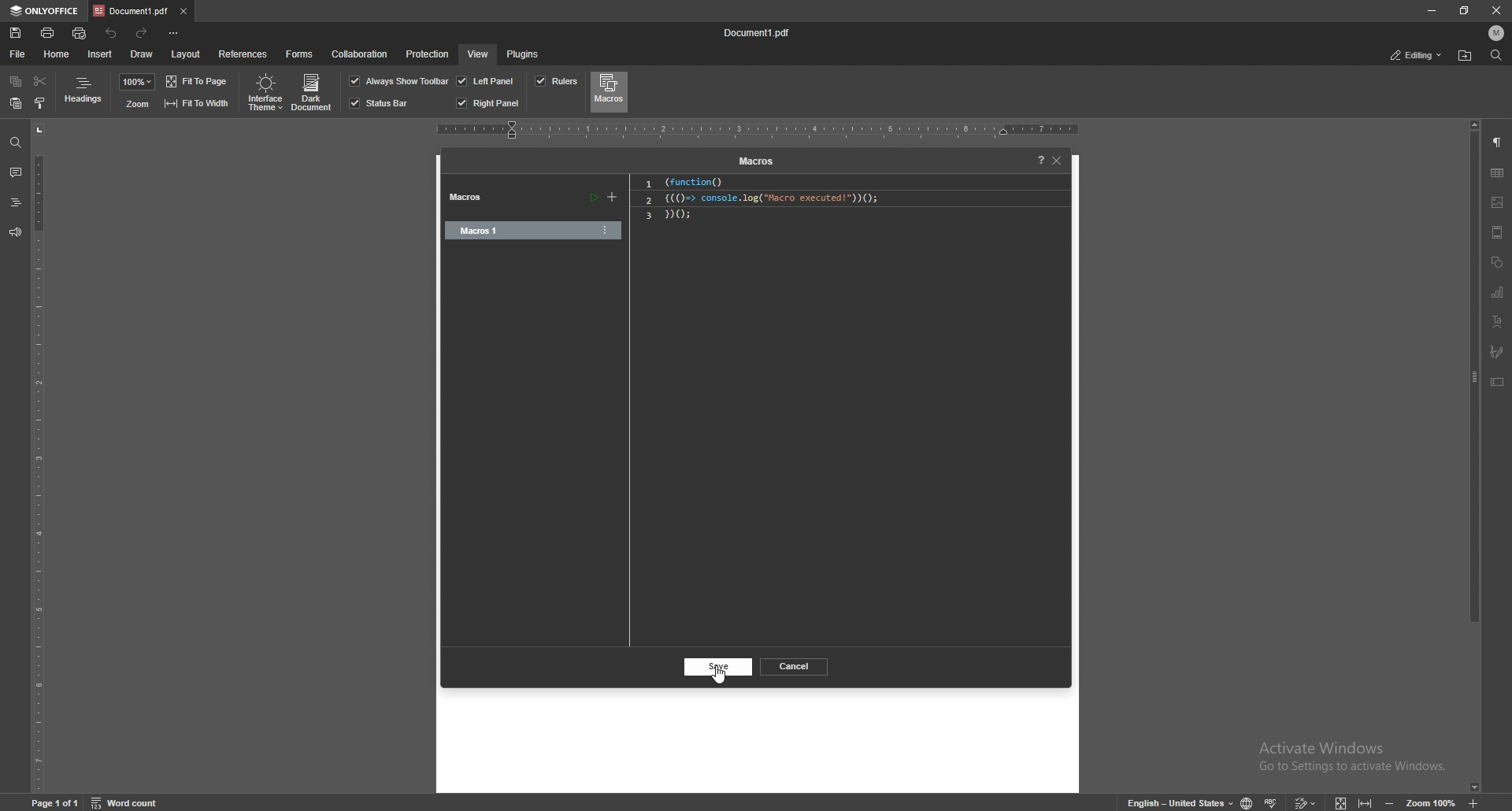  Describe the element at coordinates (313, 93) in the screenshot. I see `dark document` at that location.